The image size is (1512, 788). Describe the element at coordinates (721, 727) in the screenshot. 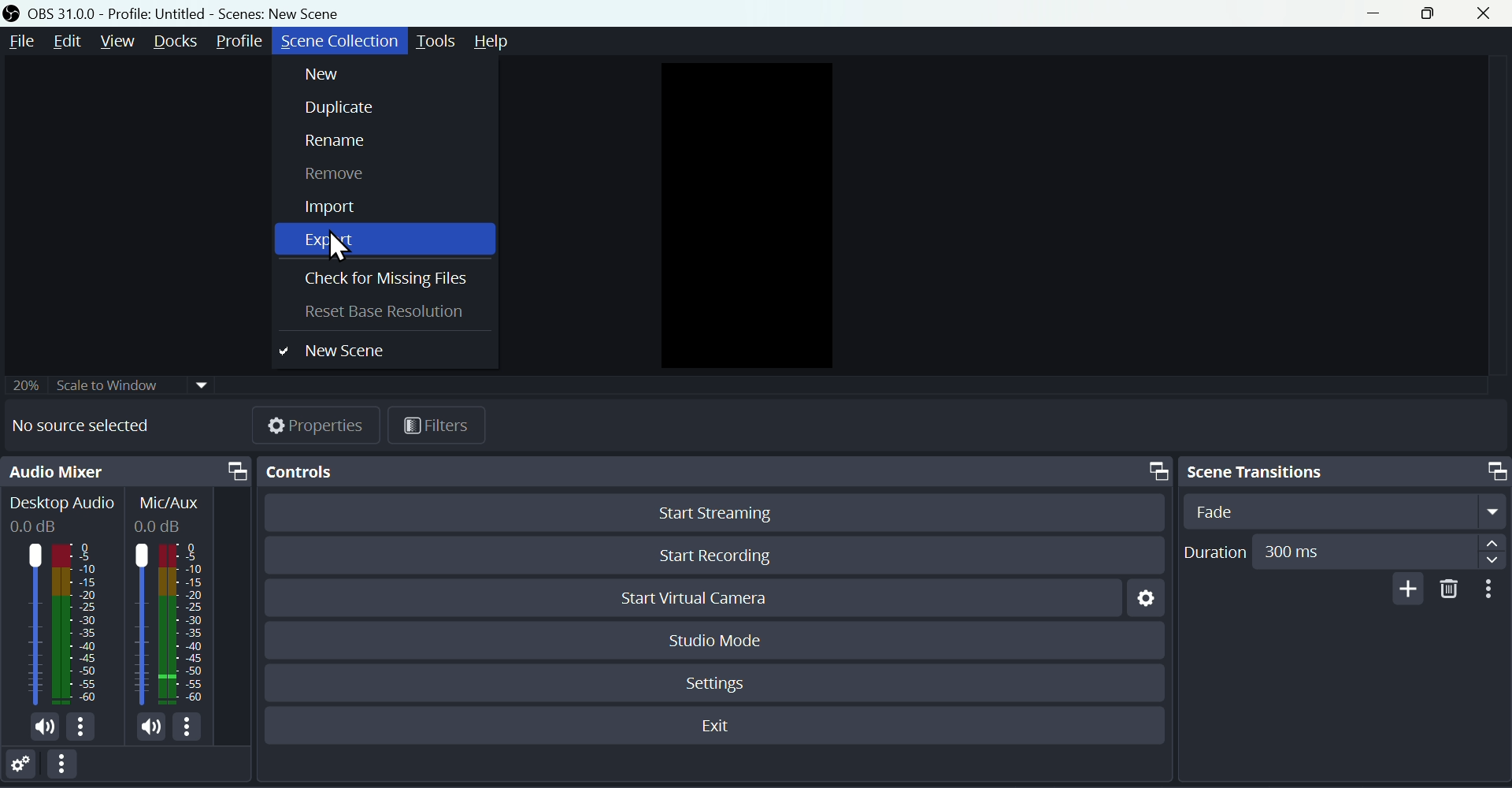

I see `Exit` at that location.